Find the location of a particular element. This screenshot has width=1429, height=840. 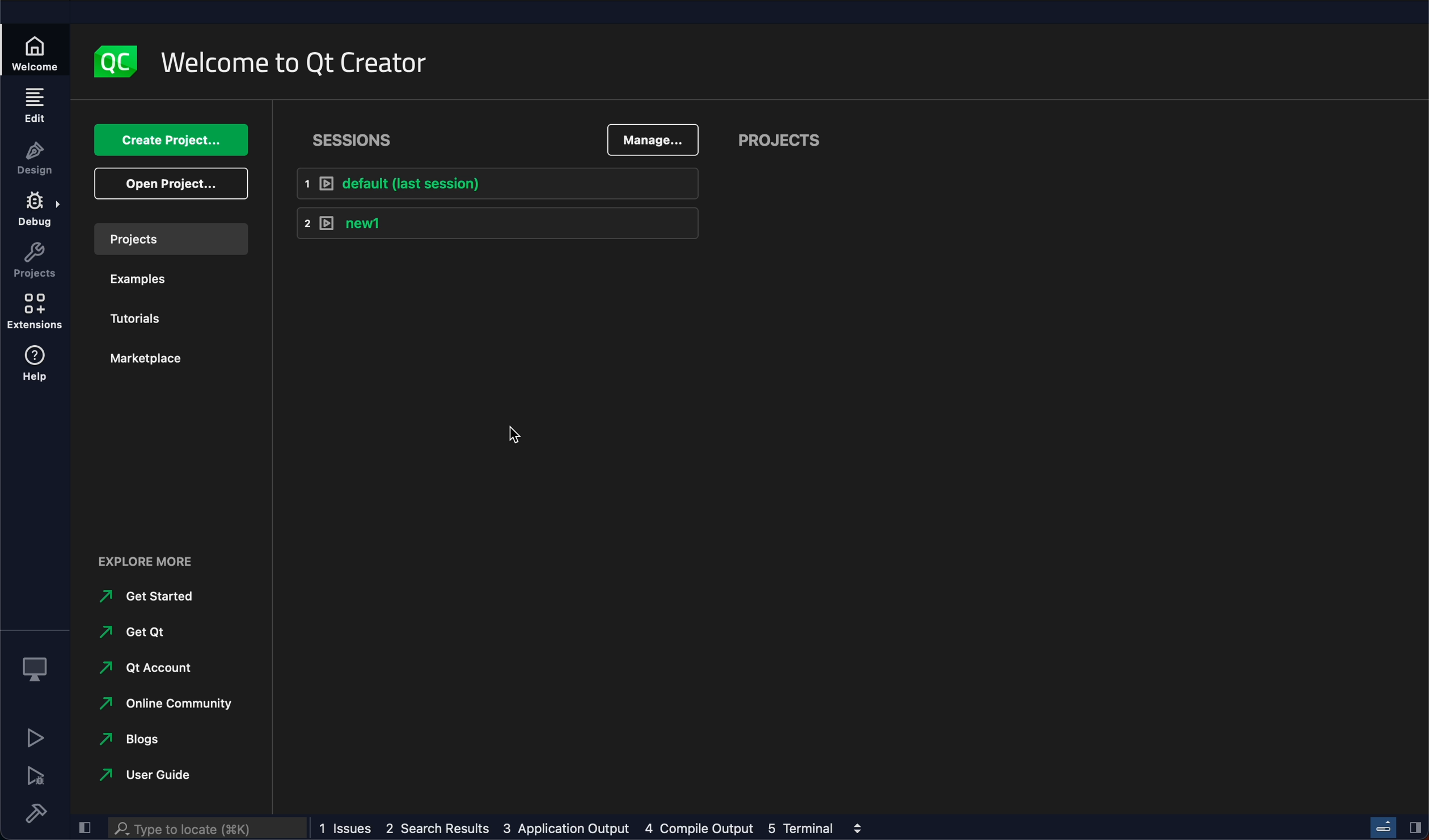

create is located at coordinates (164, 141).